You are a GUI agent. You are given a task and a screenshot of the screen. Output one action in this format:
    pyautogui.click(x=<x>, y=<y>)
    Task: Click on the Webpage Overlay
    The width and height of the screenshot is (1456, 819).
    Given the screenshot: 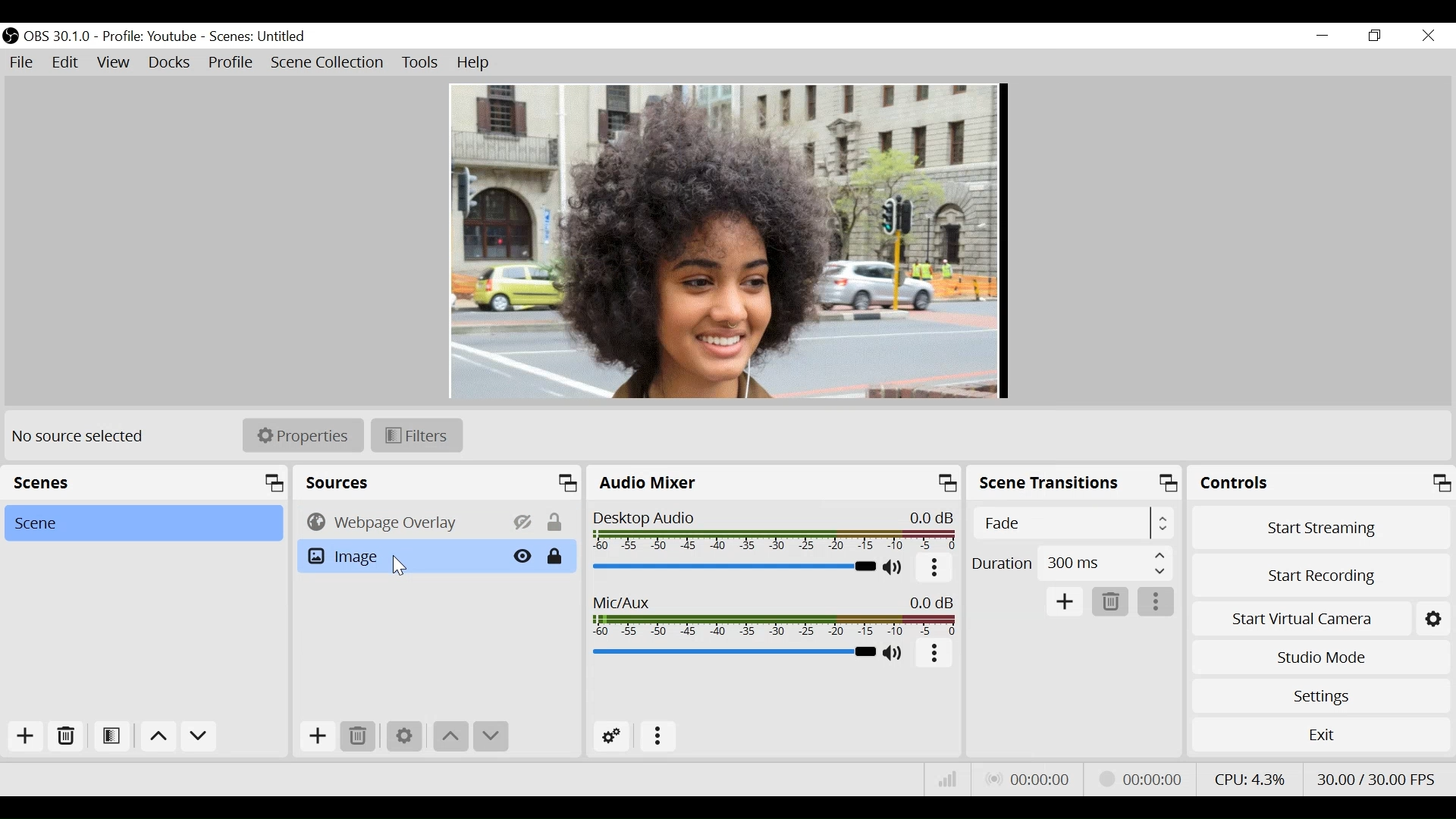 What is the action you would take?
    pyautogui.click(x=399, y=522)
    